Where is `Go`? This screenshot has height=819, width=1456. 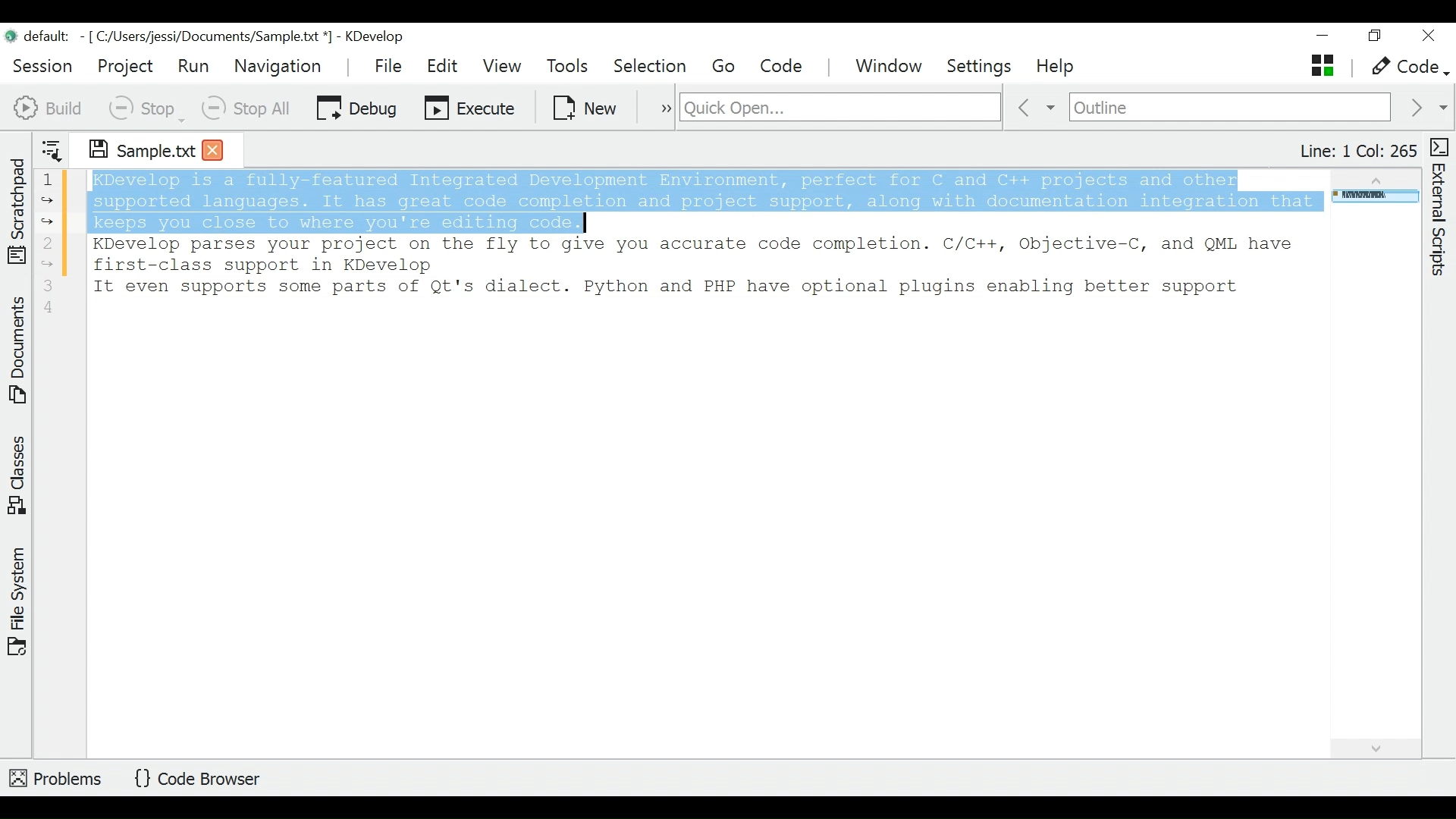 Go is located at coordinates (726, 67).